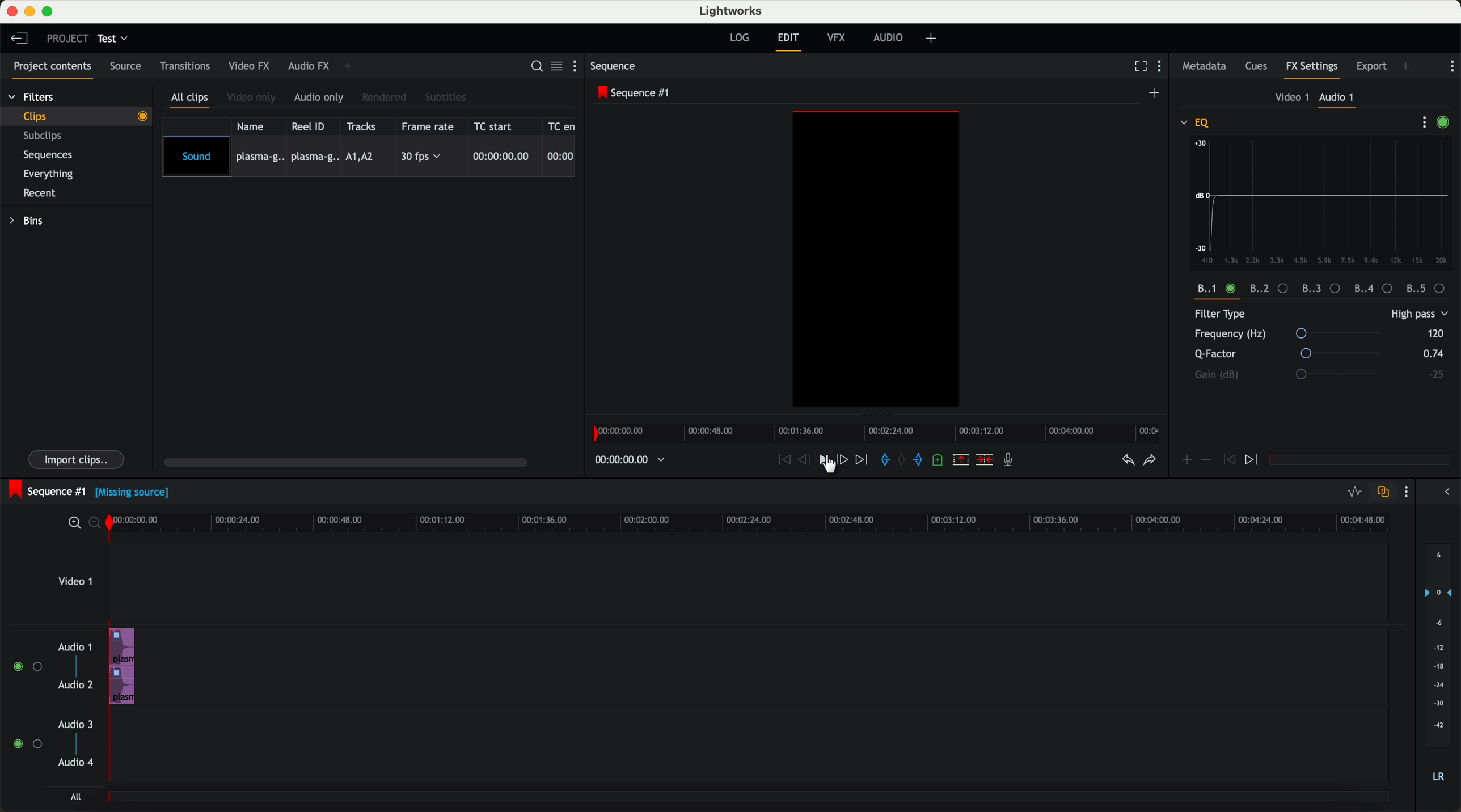  I want to click on nudge one frame back, so click(807, 460).